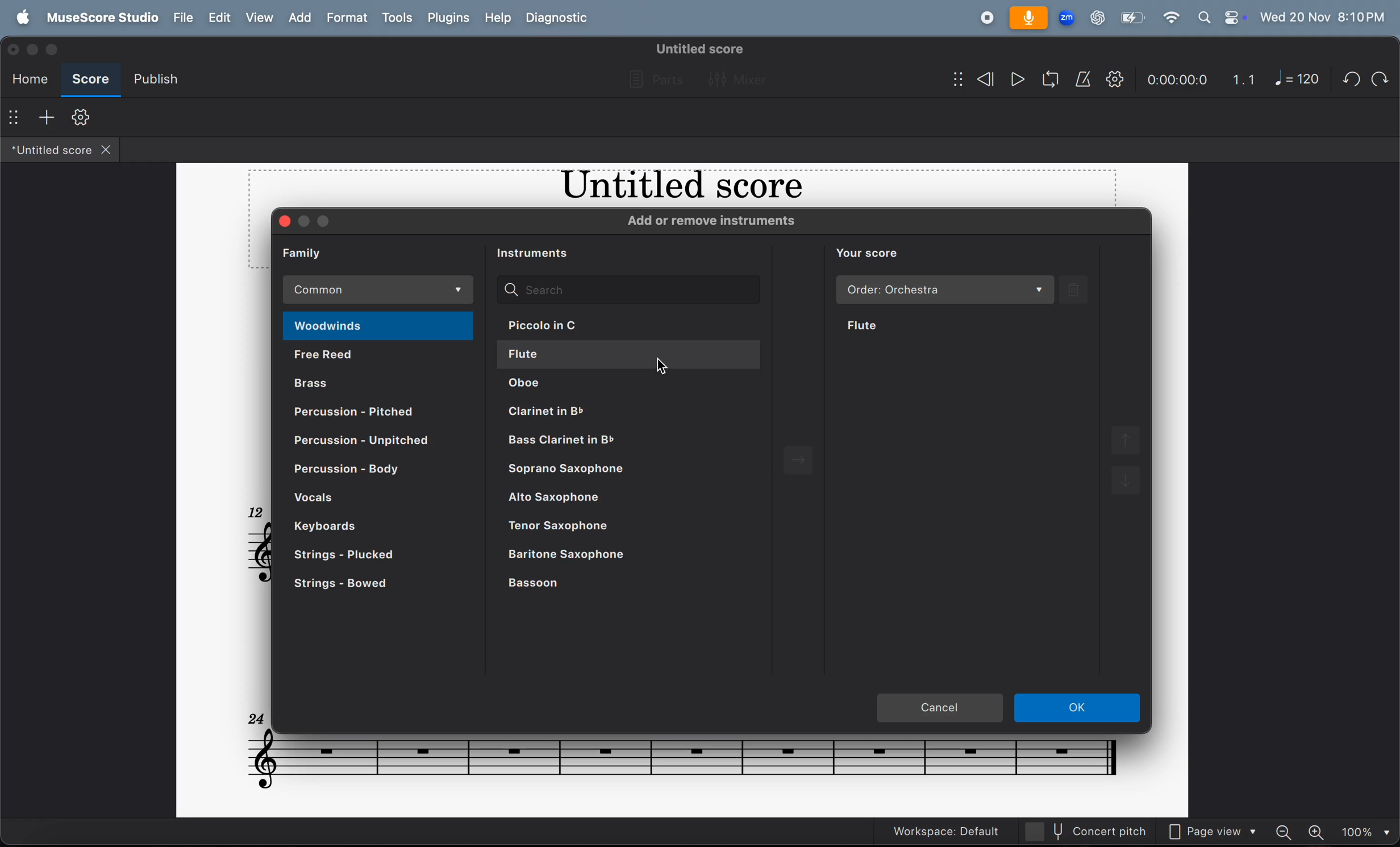 The image size is (1400, 847). I want to click on zoom out, so click(1282, 832).